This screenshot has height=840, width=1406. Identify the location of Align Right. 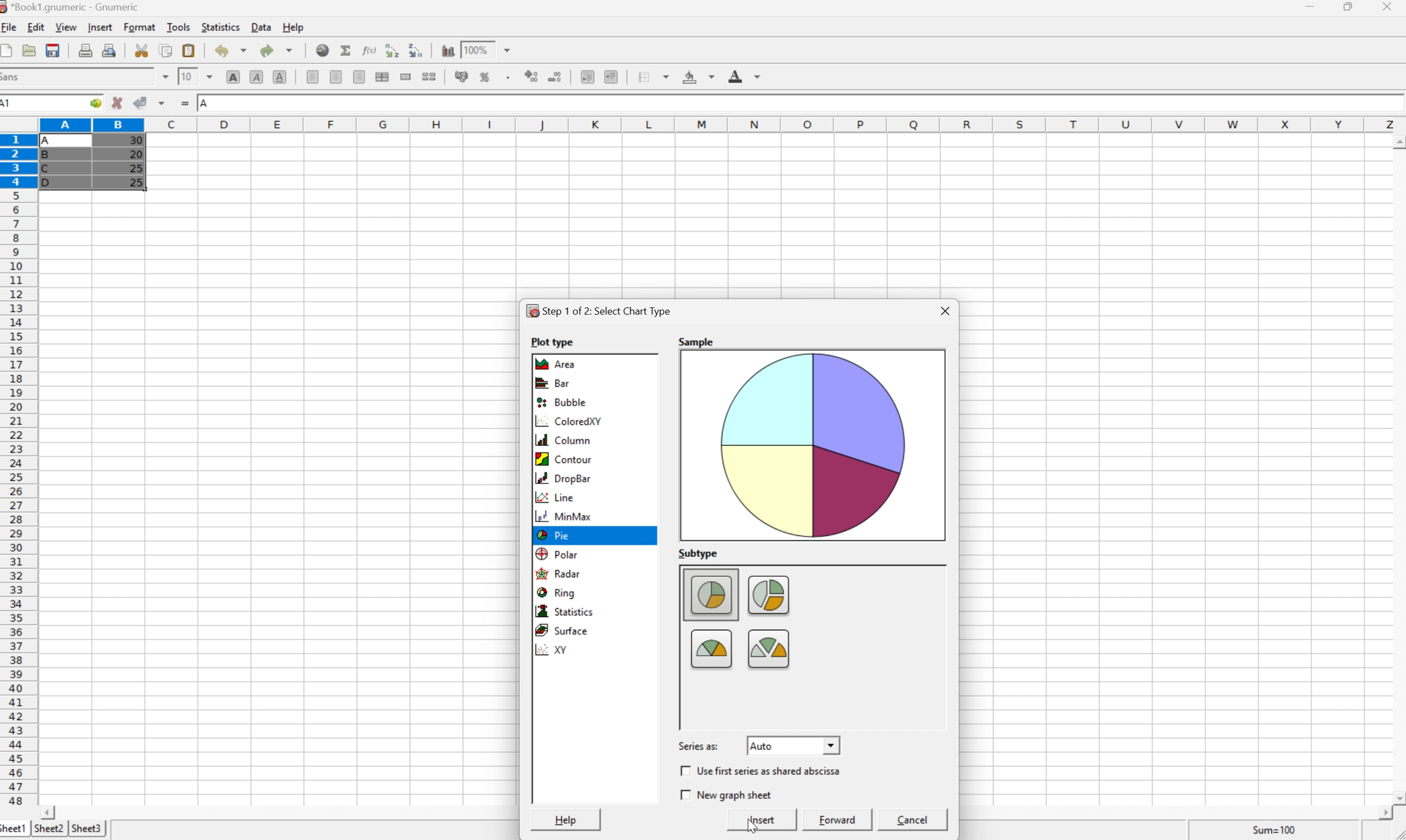
(360, 77).